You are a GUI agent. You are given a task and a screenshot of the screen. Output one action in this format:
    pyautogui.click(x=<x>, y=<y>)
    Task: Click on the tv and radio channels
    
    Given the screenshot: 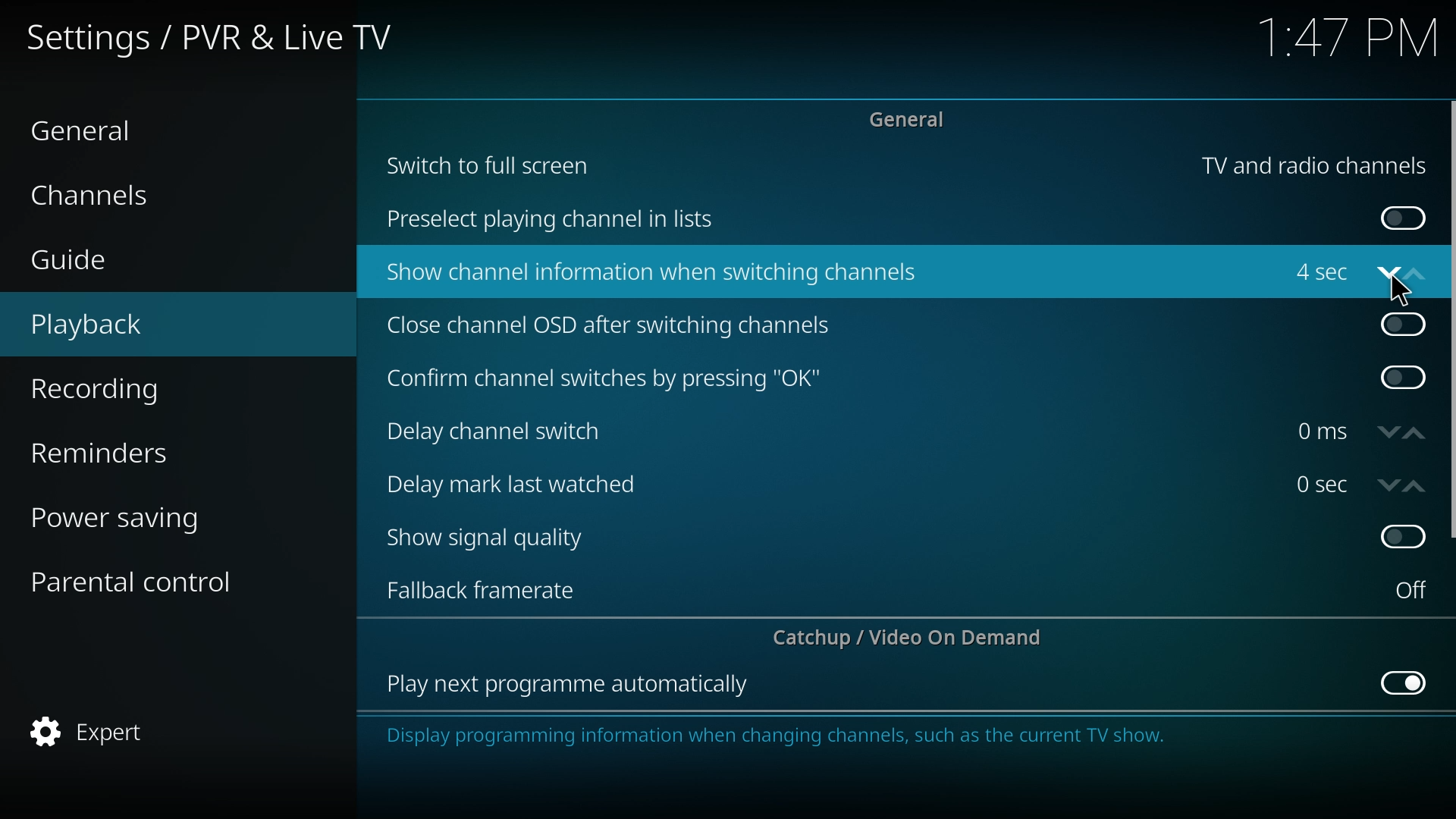 What is the action you would take?
    pyautogui.click(x=1313, y=166)
    